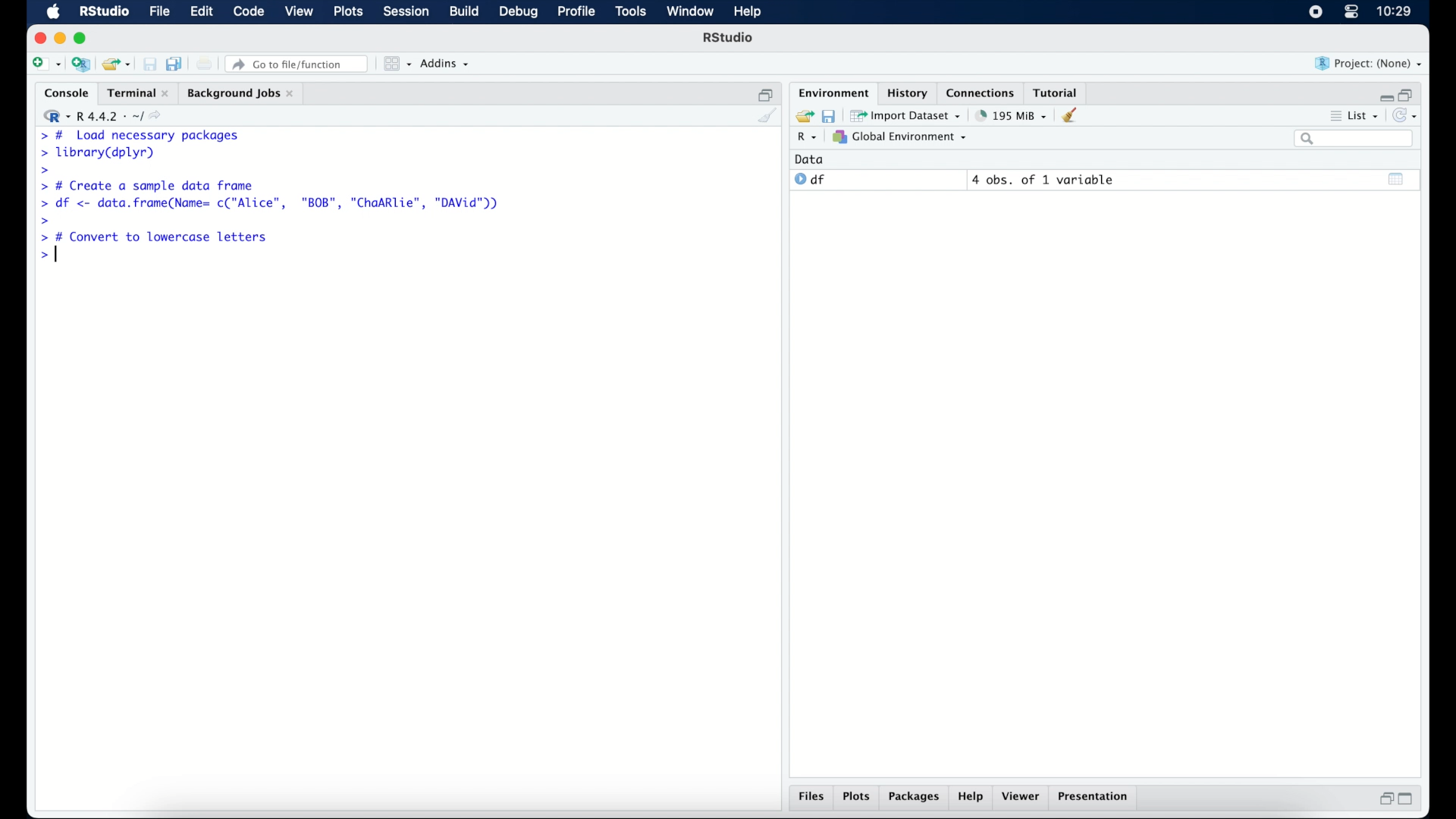  I want to click on help, so click(971, 799).